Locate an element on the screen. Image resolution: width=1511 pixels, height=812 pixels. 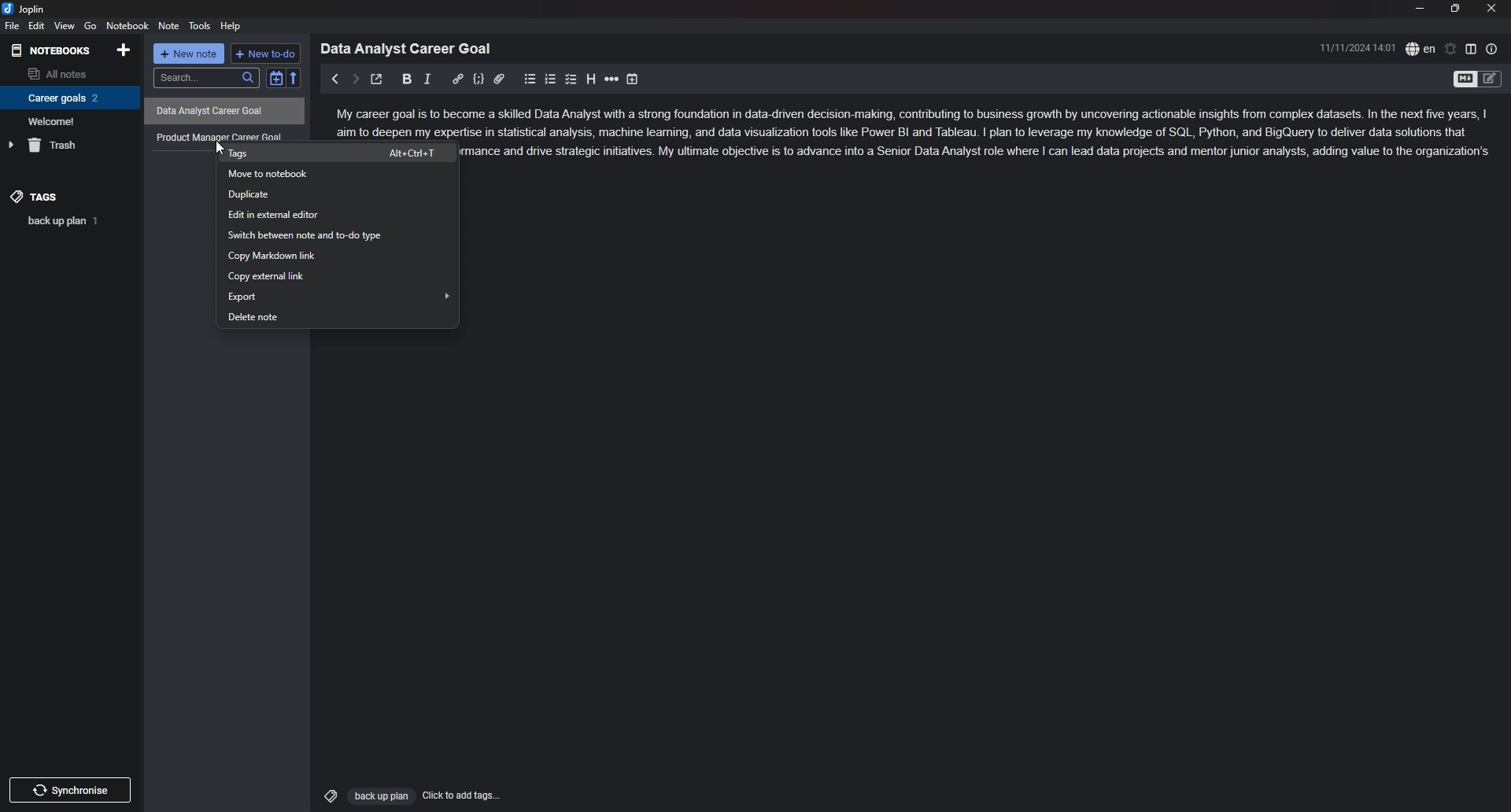
switch between note and to-do type is located at coordinates (337, 235).